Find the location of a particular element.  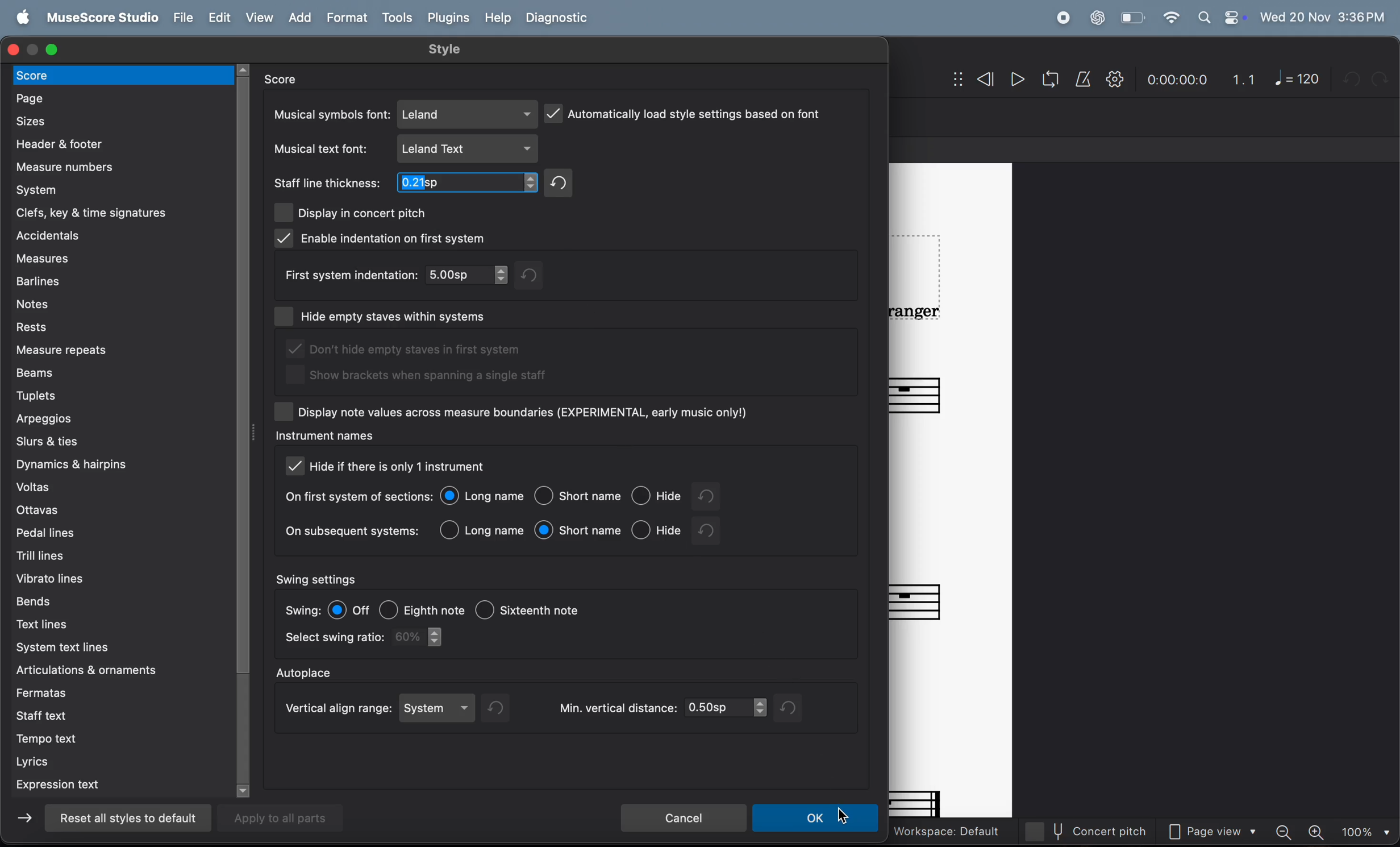

clefs key and time signatures is located at coordinates (121, 211).